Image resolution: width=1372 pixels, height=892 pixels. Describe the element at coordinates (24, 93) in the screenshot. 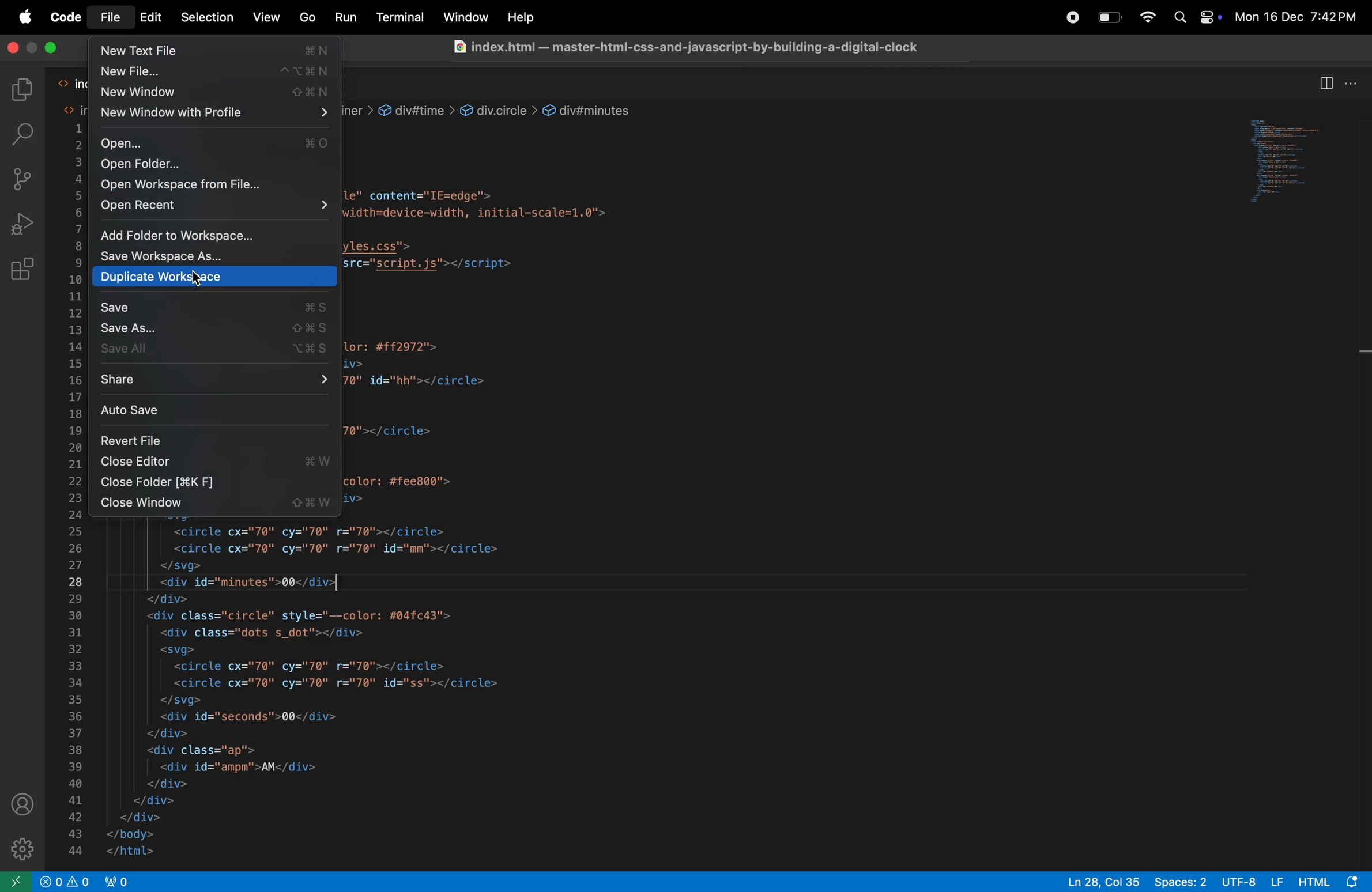

I see `explore` at that location.